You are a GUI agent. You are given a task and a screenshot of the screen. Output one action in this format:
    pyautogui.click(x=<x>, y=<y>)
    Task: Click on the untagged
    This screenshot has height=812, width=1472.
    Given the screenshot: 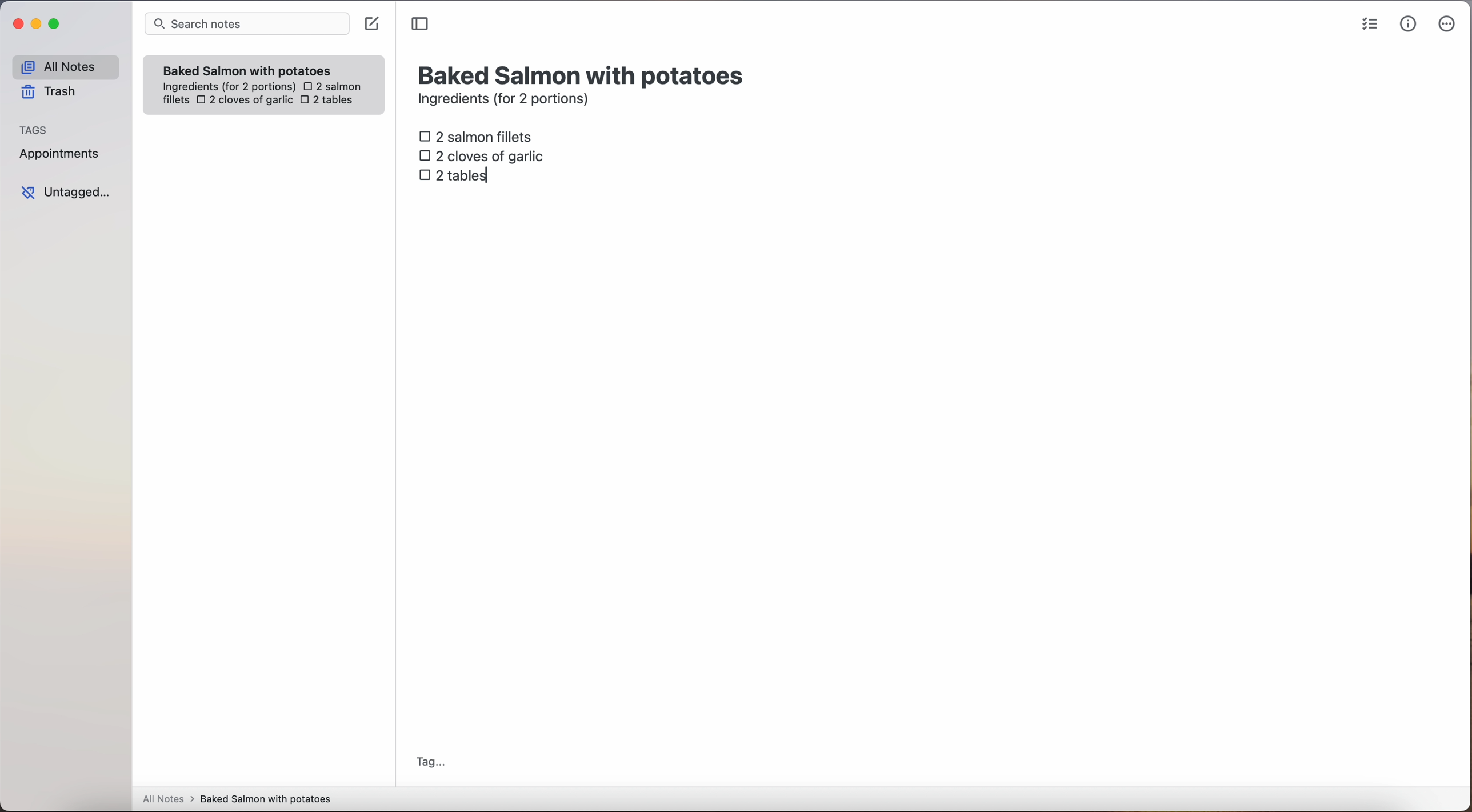 What is the action you would take?
    pyautogui.click(x=67, y=192)
    